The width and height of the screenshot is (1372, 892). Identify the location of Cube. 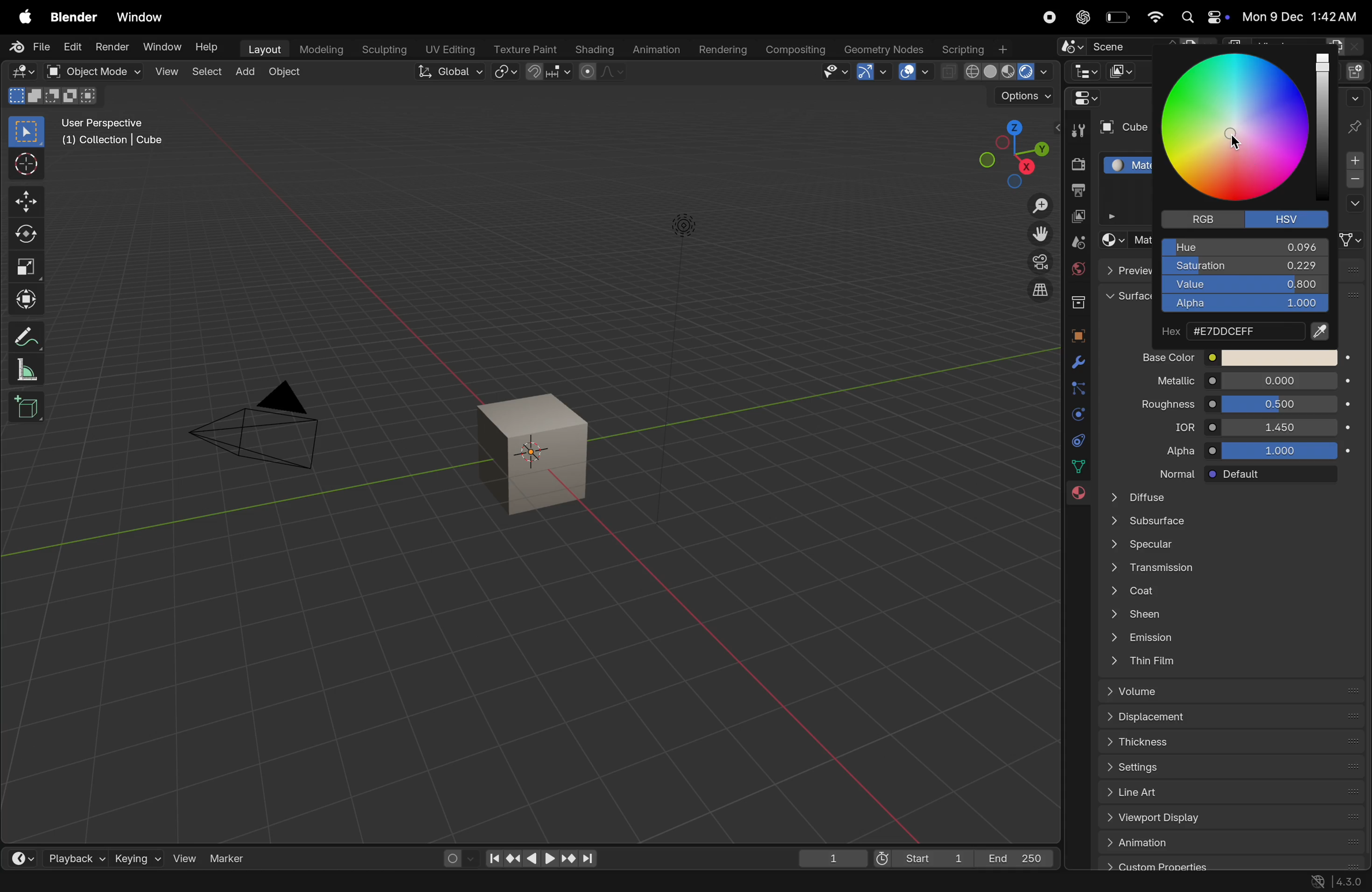
(1121, 128).